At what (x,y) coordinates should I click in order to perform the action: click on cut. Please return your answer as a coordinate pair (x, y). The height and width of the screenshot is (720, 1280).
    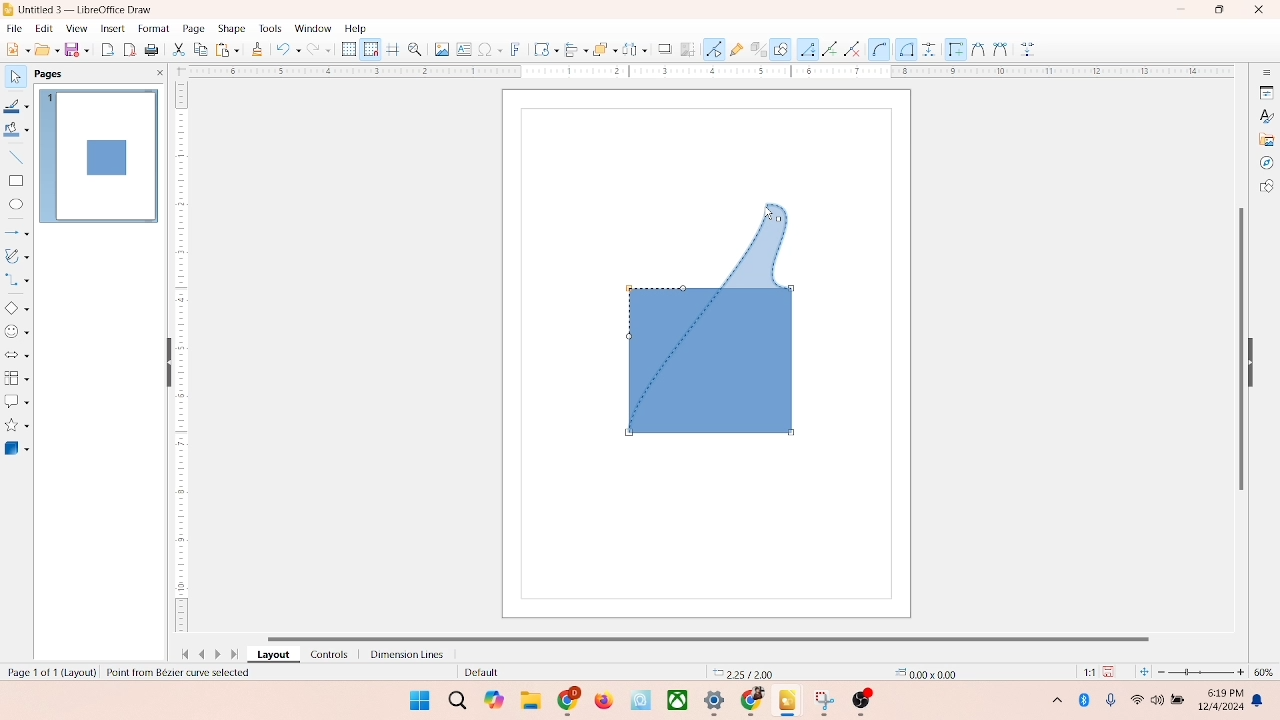
    Looking at the image, I should click on (179, 51).